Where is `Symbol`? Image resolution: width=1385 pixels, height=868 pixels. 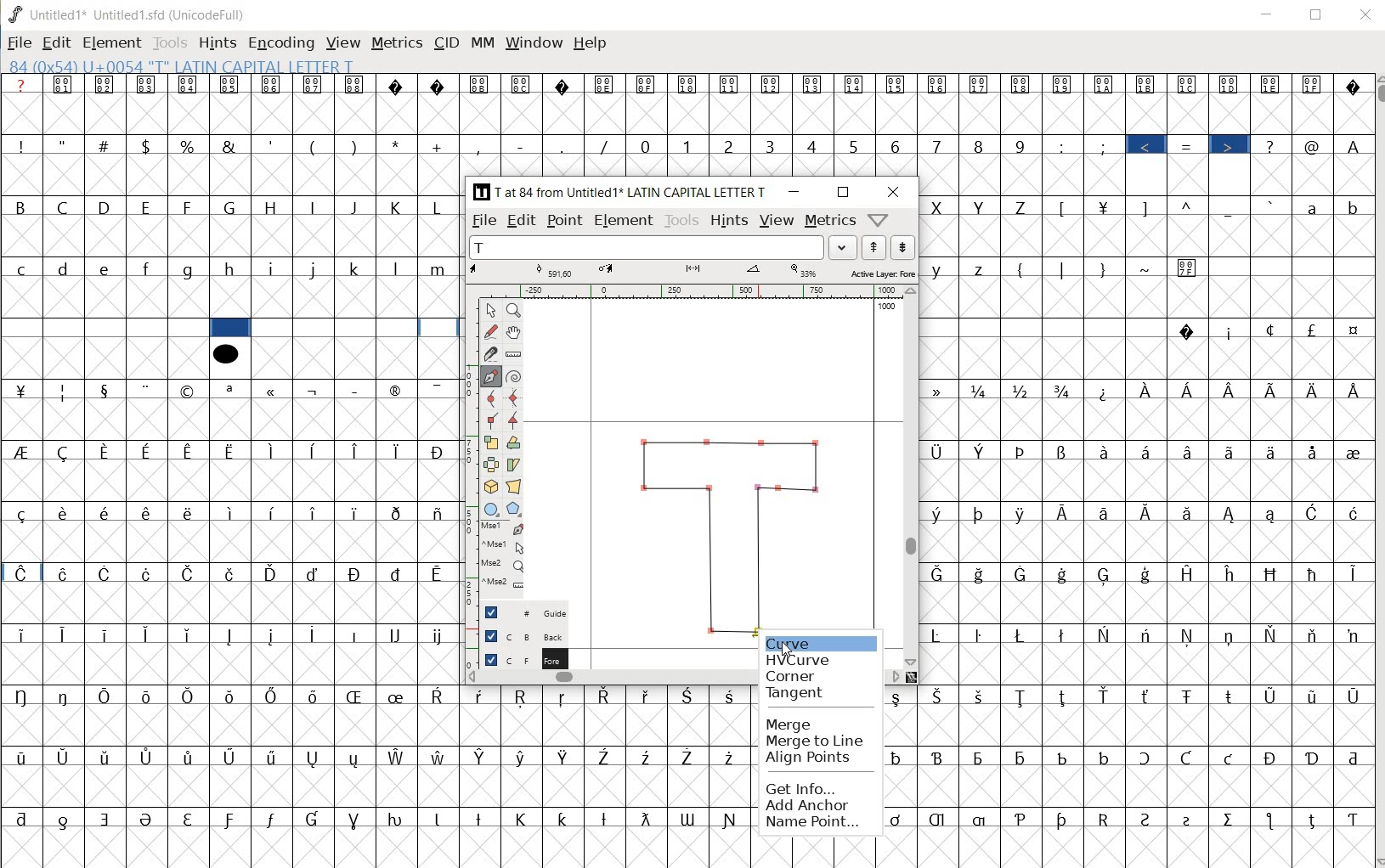
Symbol is located at coordinates (1230, 514).